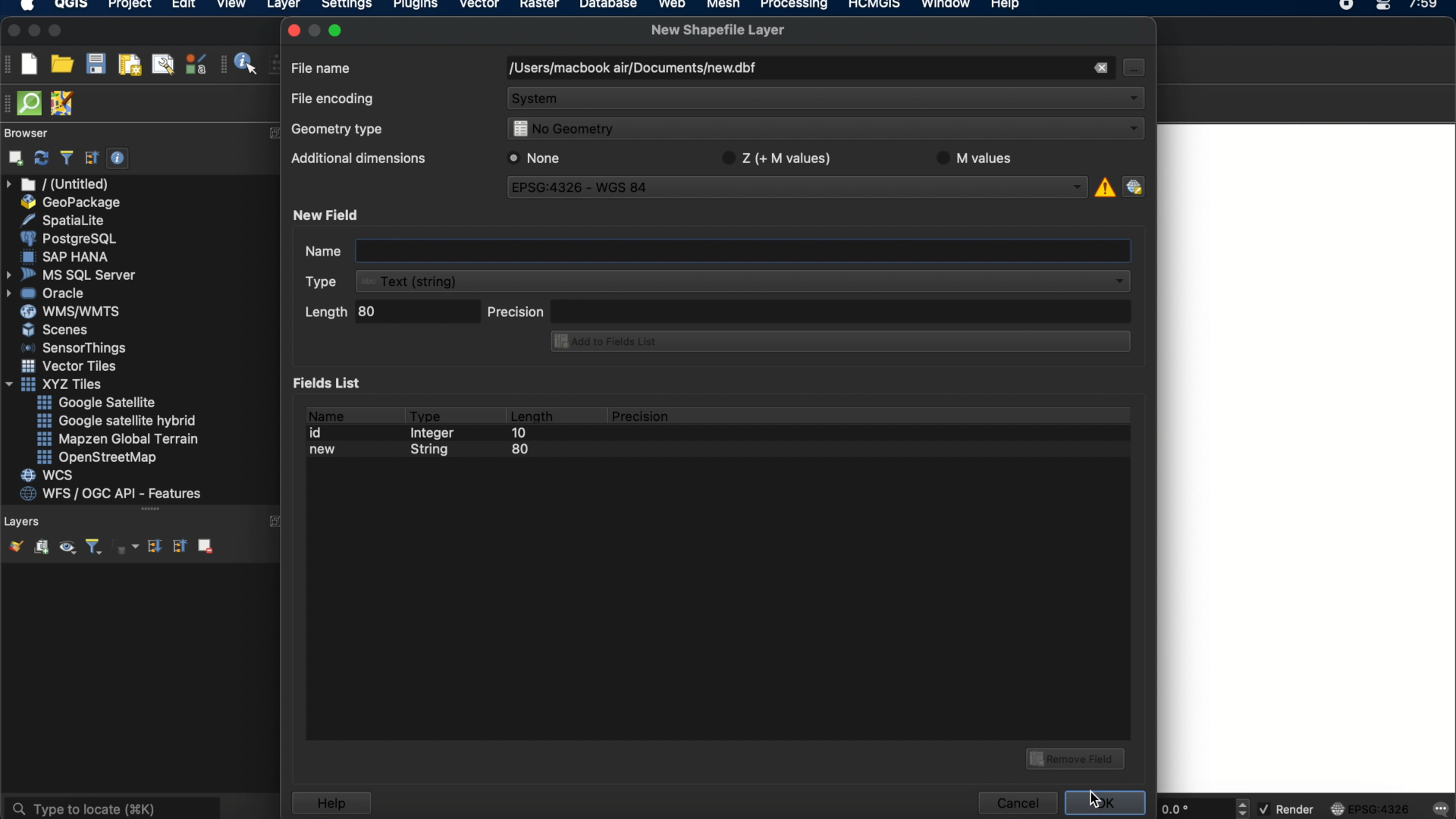  Describe the element at coordinates (293, 30) in the screenshot. I see `close` at that location.